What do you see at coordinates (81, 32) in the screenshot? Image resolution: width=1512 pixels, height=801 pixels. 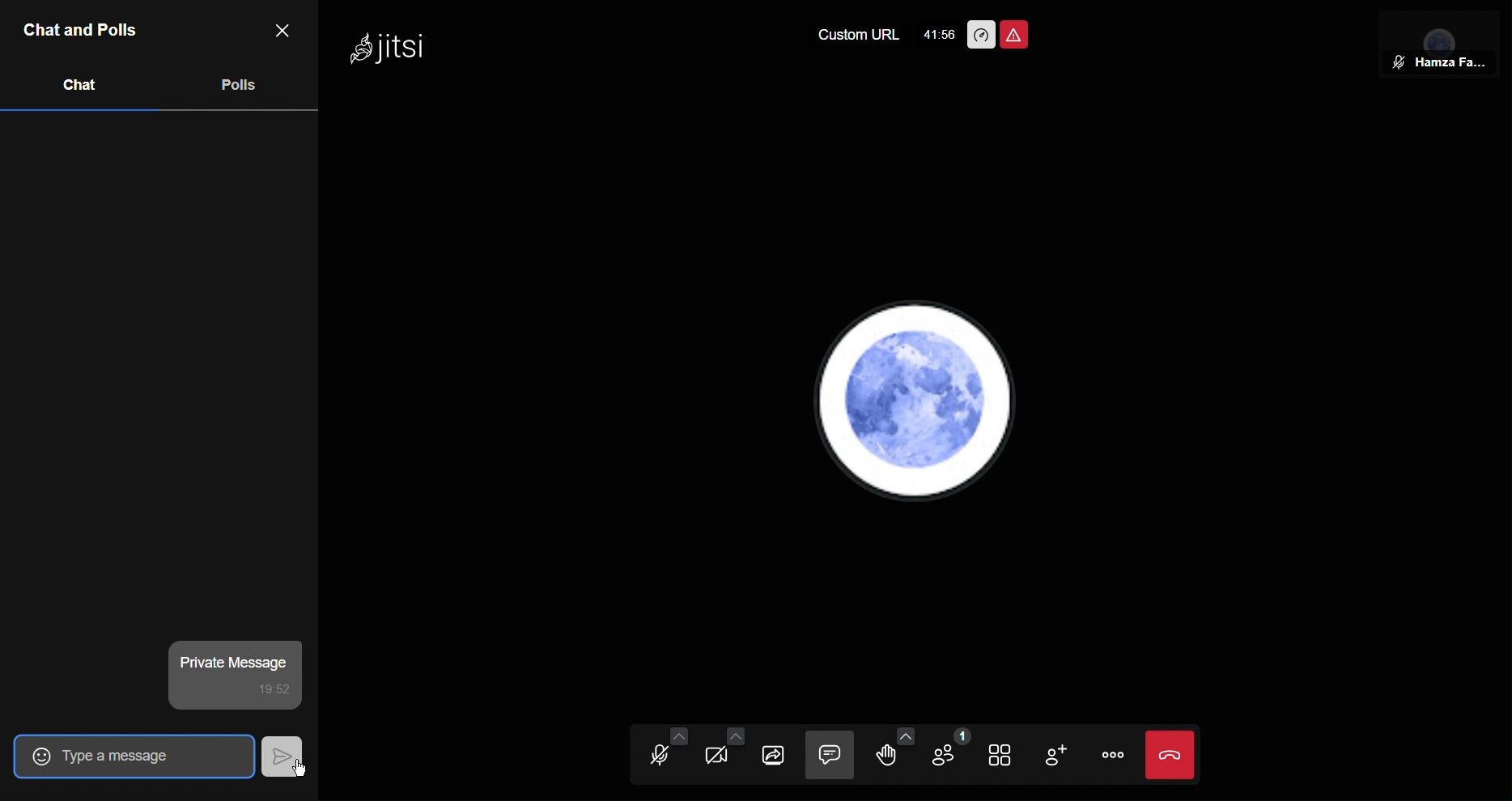 I see `Chat and Polls` at bounding box center [81, 32].